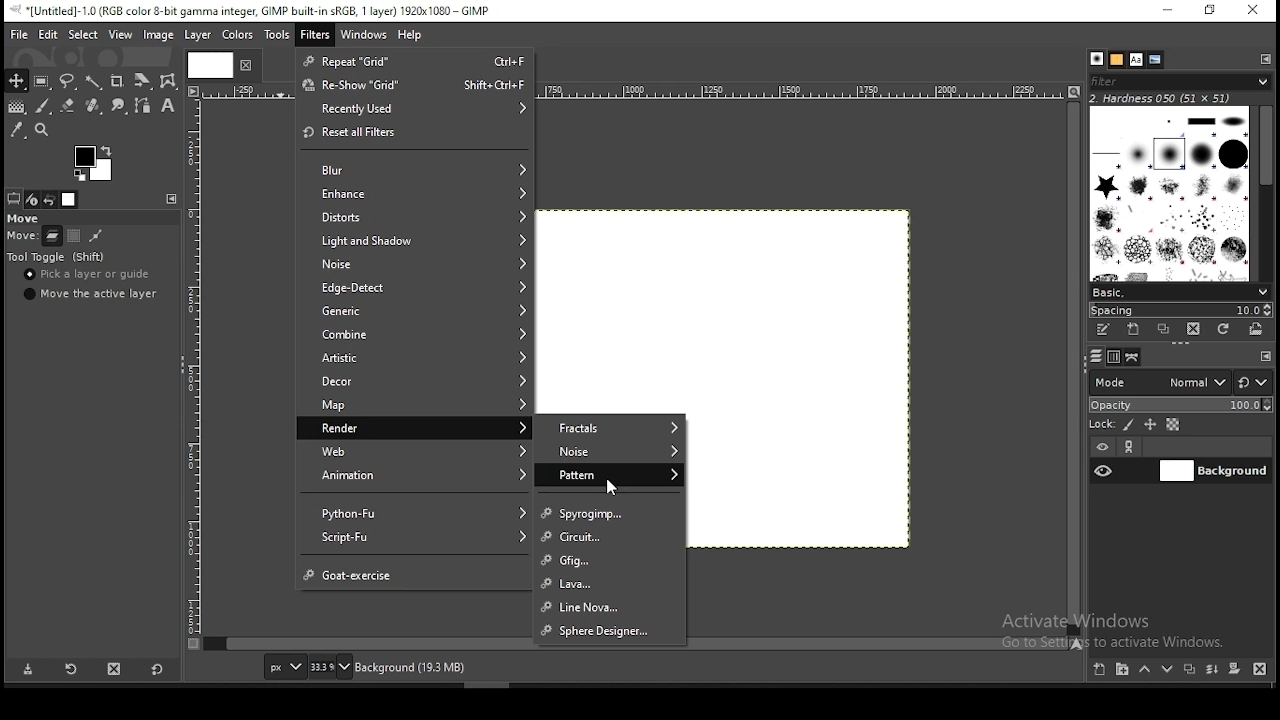 The image size is (1280, 720). Describe the element at coordinates (1236, 670) in the screenshot. I see `add a mask` at that location.